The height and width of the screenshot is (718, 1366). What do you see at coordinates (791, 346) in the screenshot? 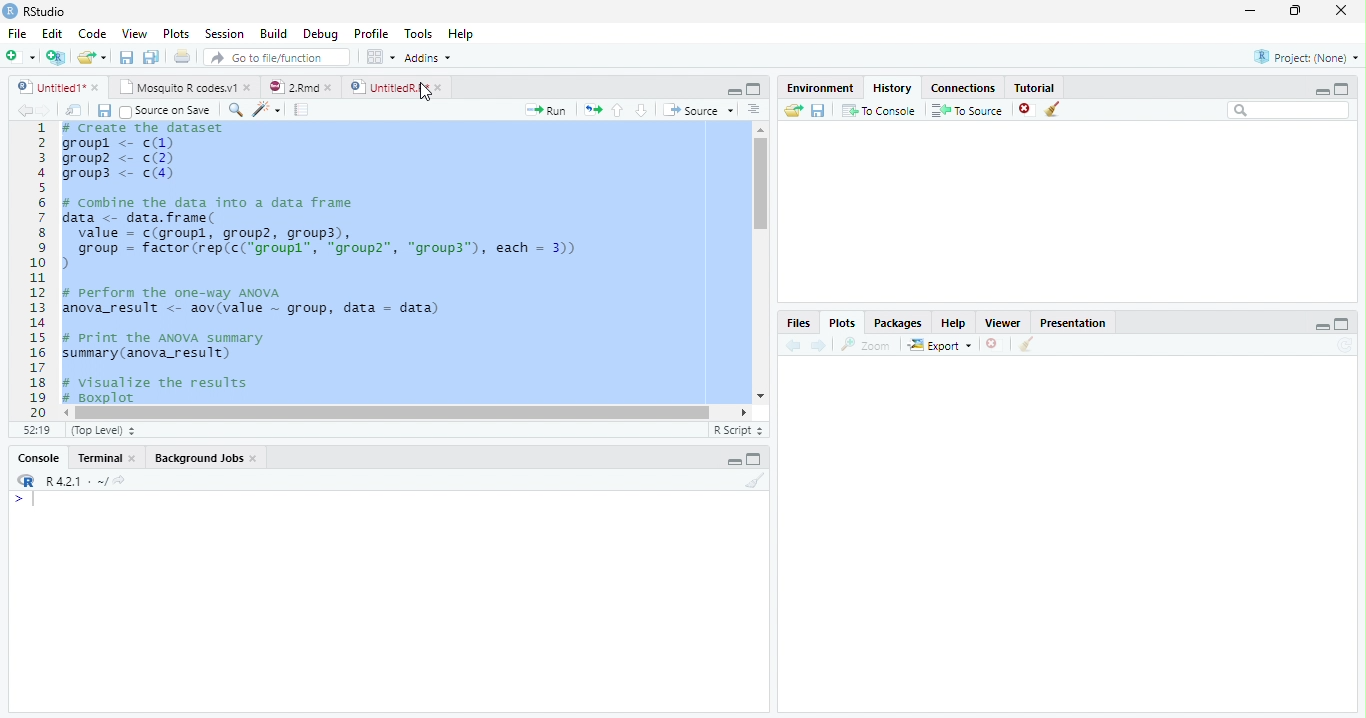
I see `back` at bounding box center [791, 346].